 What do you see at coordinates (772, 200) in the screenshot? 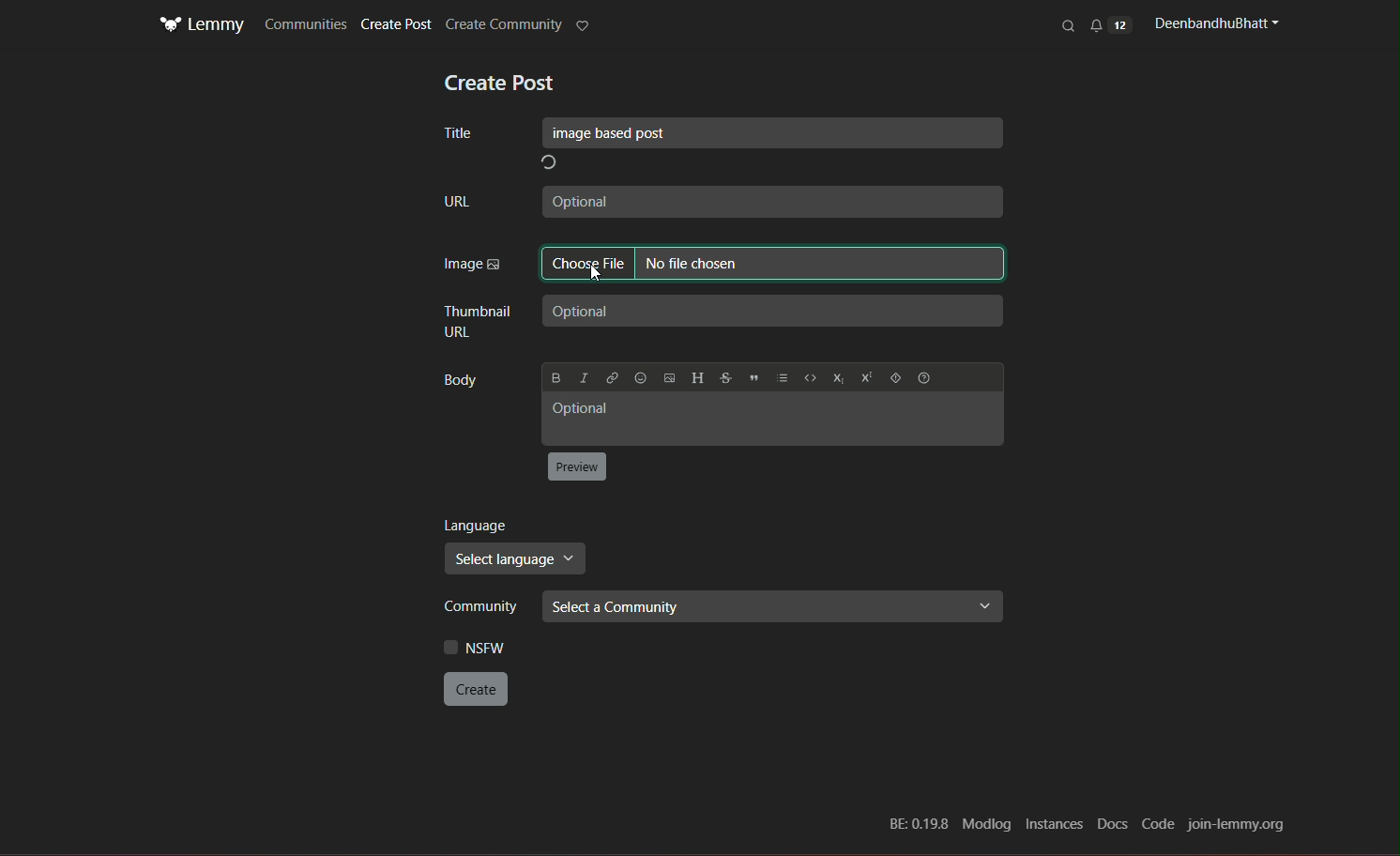
I see `Optional` at bounding box center [772, 200].